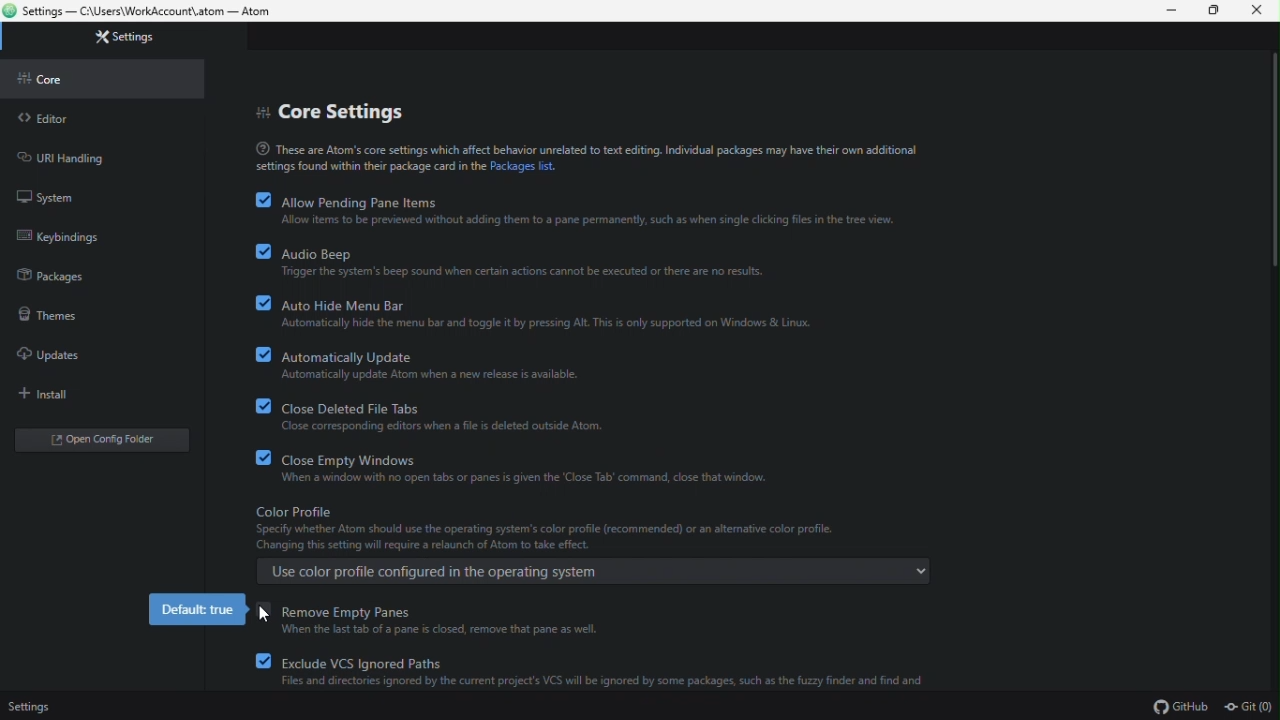 Image resolution: width=1280 pixels, height=720 pixels. Describe the element at coordinates (254, 199) in the screenshot. I see `checkbox` at that location.